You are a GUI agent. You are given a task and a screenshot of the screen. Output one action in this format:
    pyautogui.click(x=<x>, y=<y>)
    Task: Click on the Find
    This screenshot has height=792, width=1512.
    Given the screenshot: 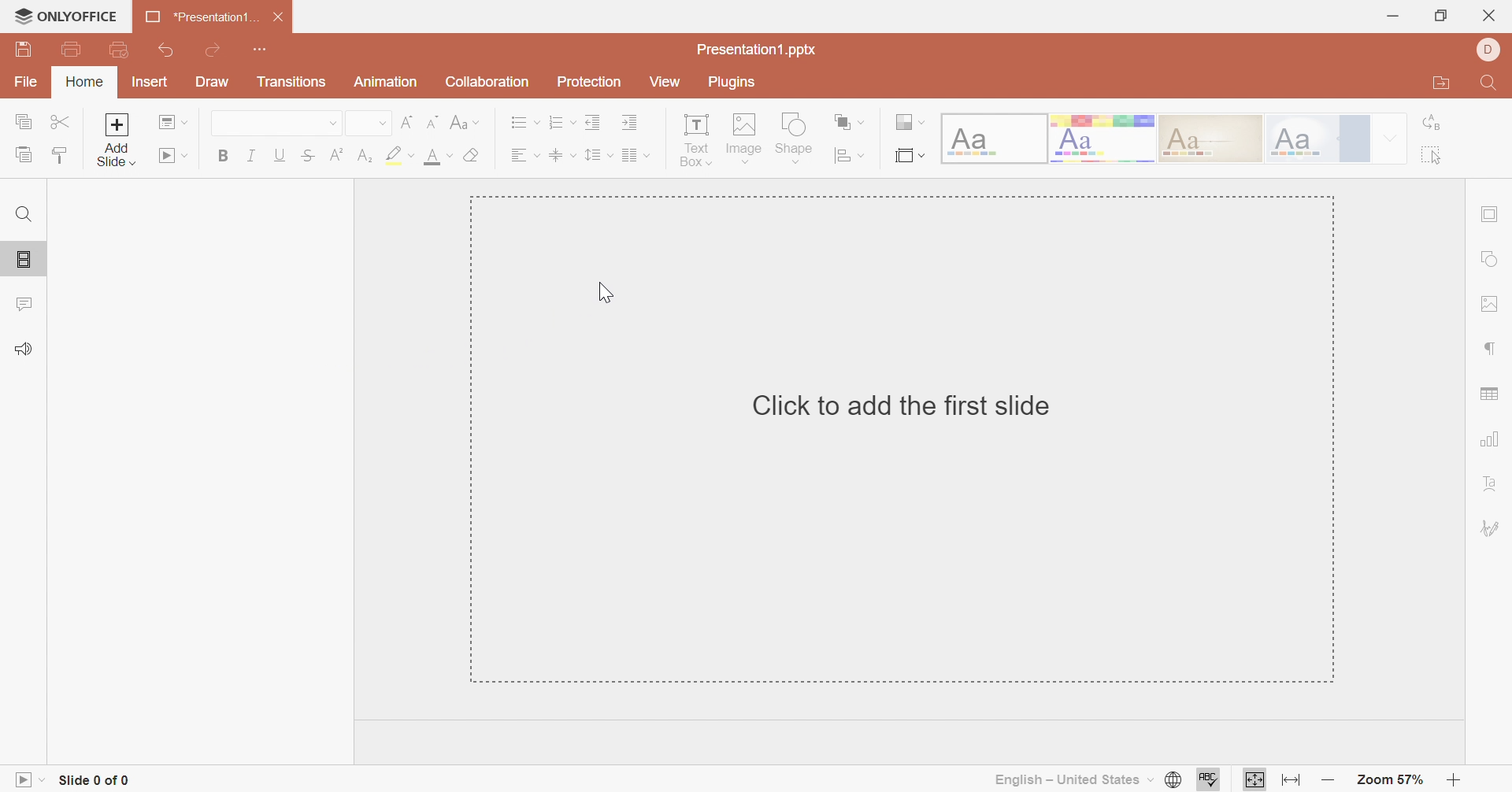 What is the action you would take?
    pyautogui.click(x=23, y=215)
    